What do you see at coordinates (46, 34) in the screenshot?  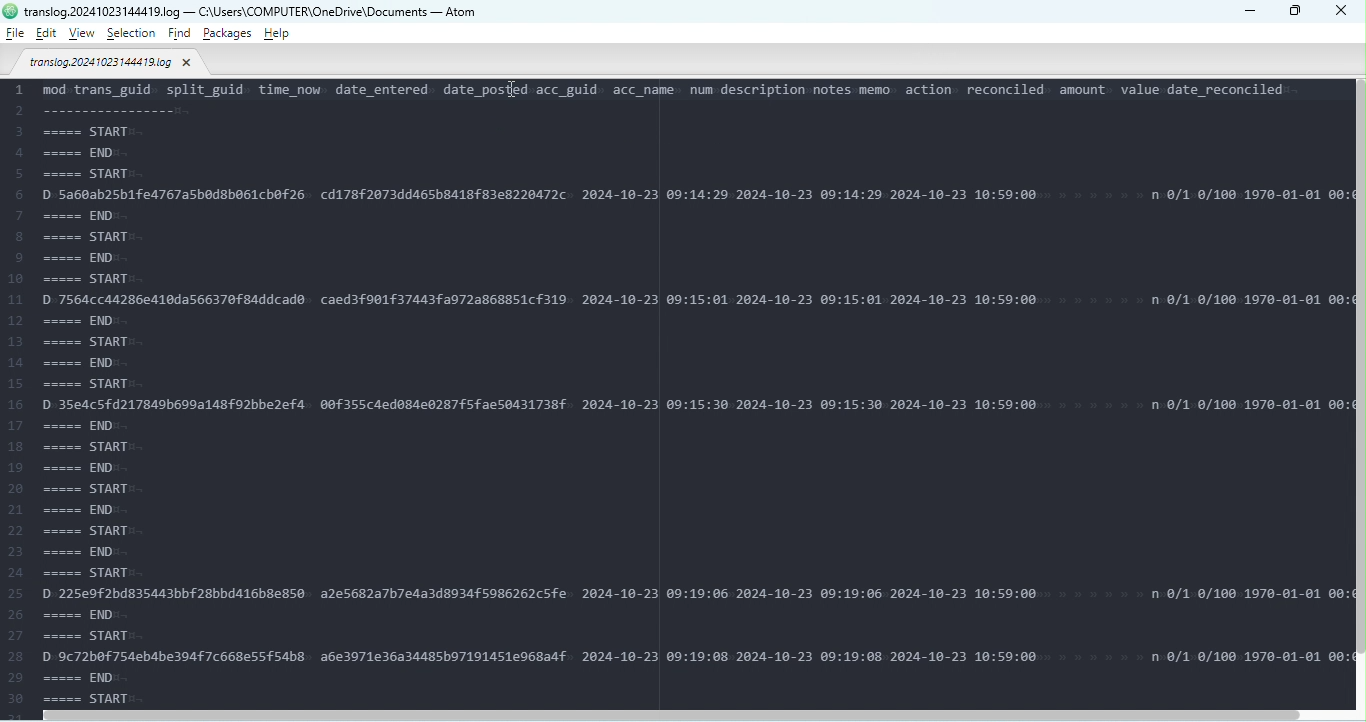 I see `Edit` at bounding box center [46, 34].